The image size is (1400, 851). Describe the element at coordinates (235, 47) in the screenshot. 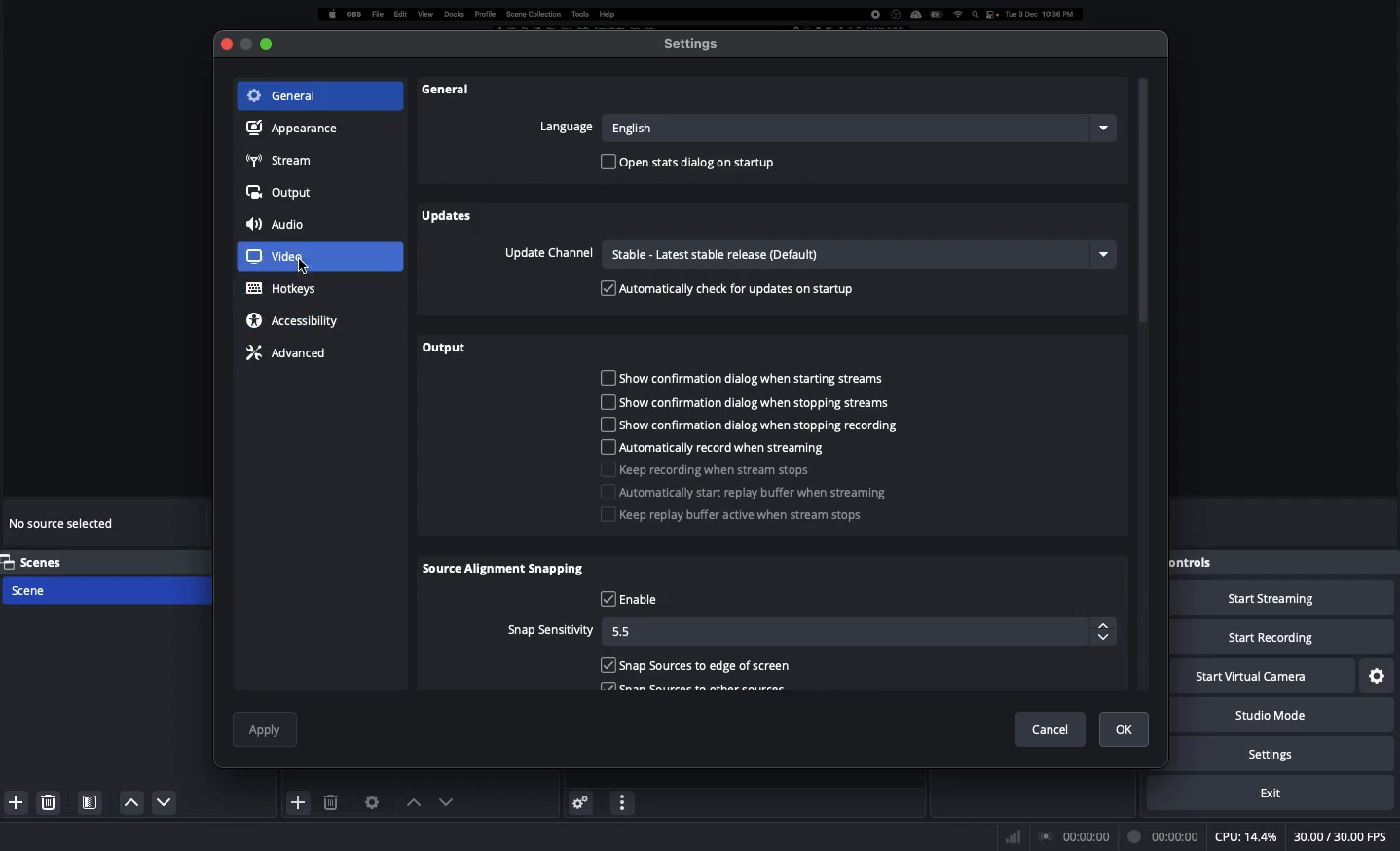

I see `Close` at that location.